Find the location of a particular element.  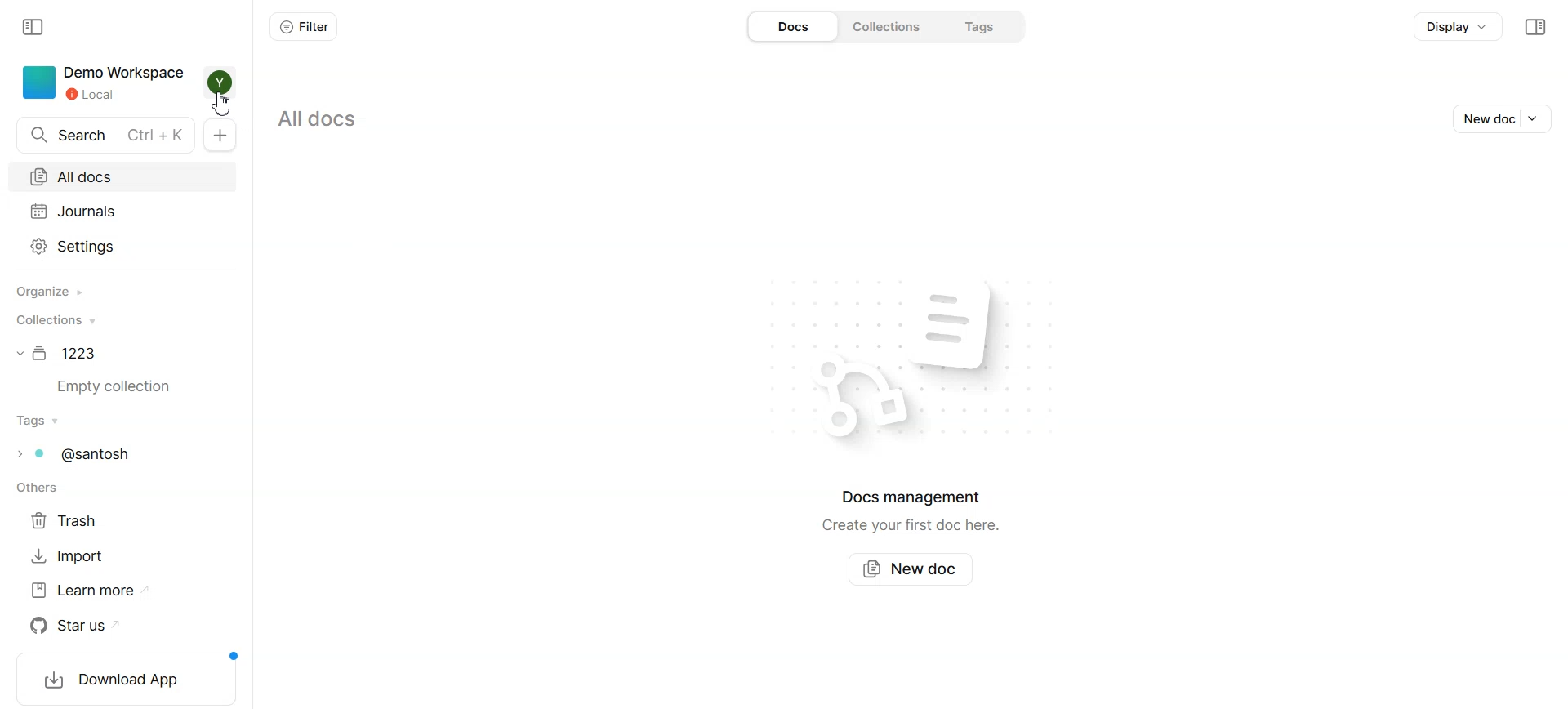

Import is located at coordinates (75, 555).